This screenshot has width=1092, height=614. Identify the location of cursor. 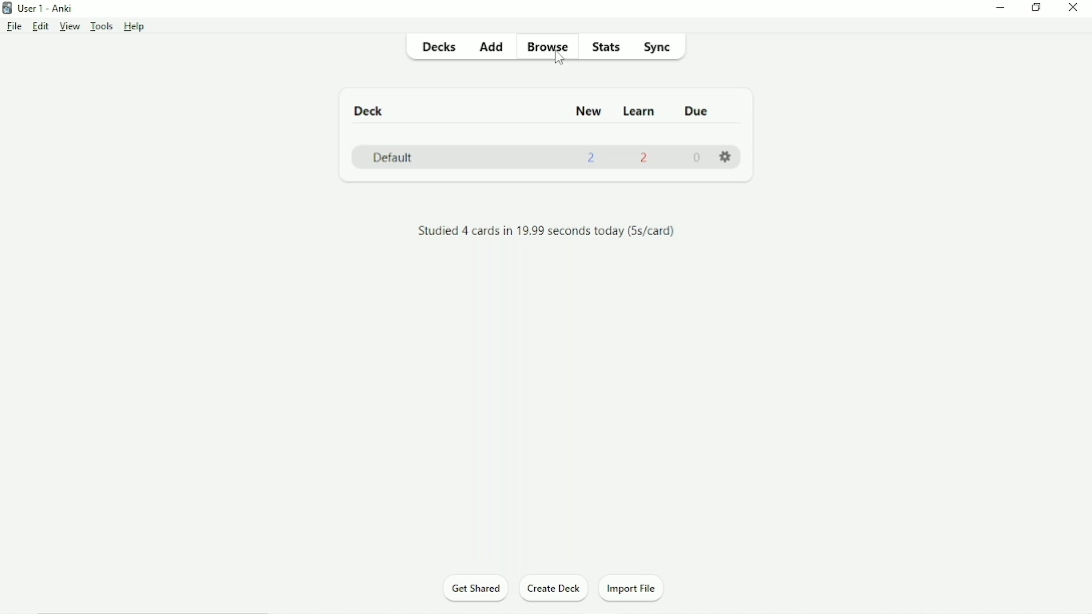
(560, 59).